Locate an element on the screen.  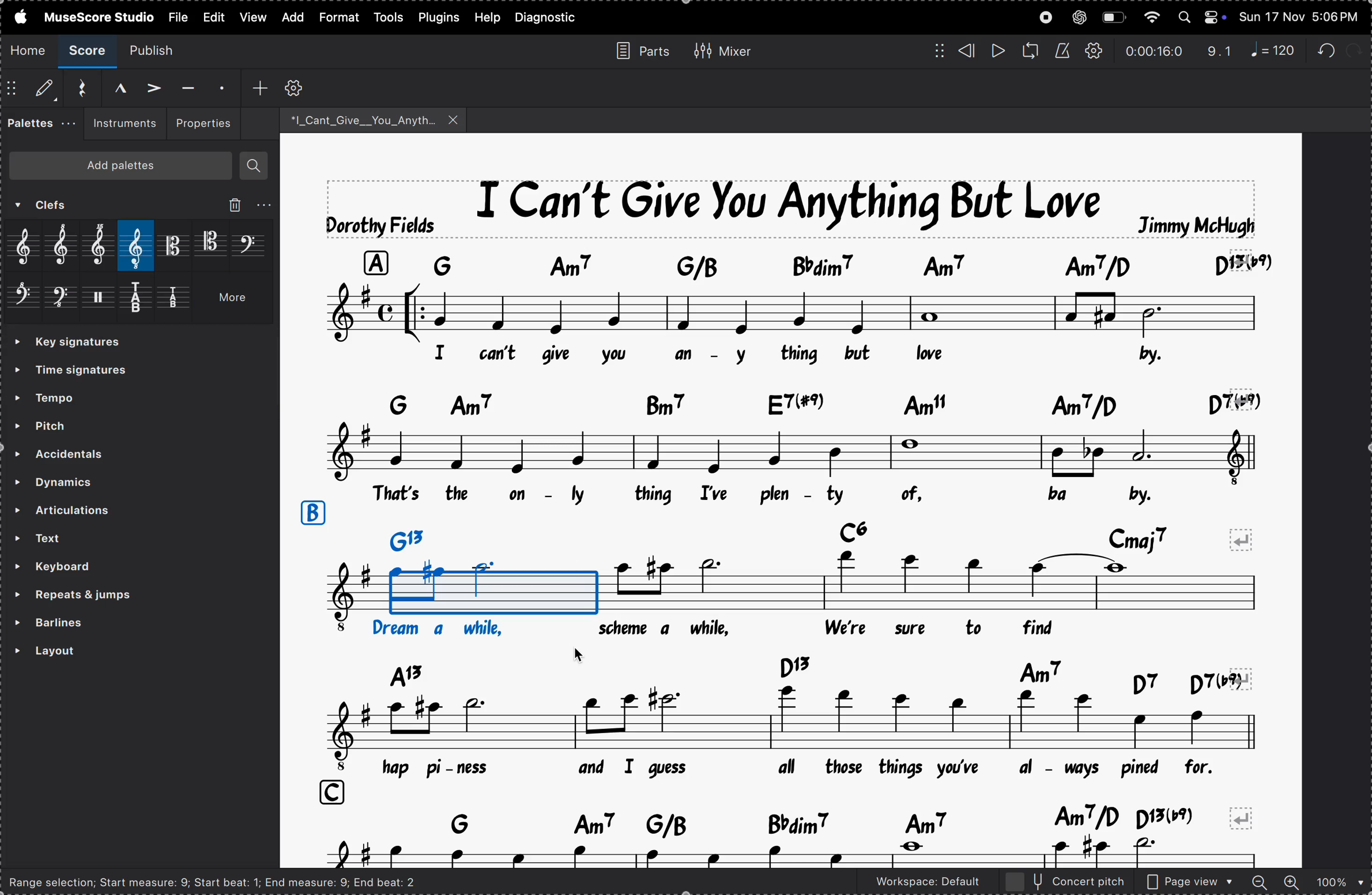
lyrics is located at coordinates (699, 354).